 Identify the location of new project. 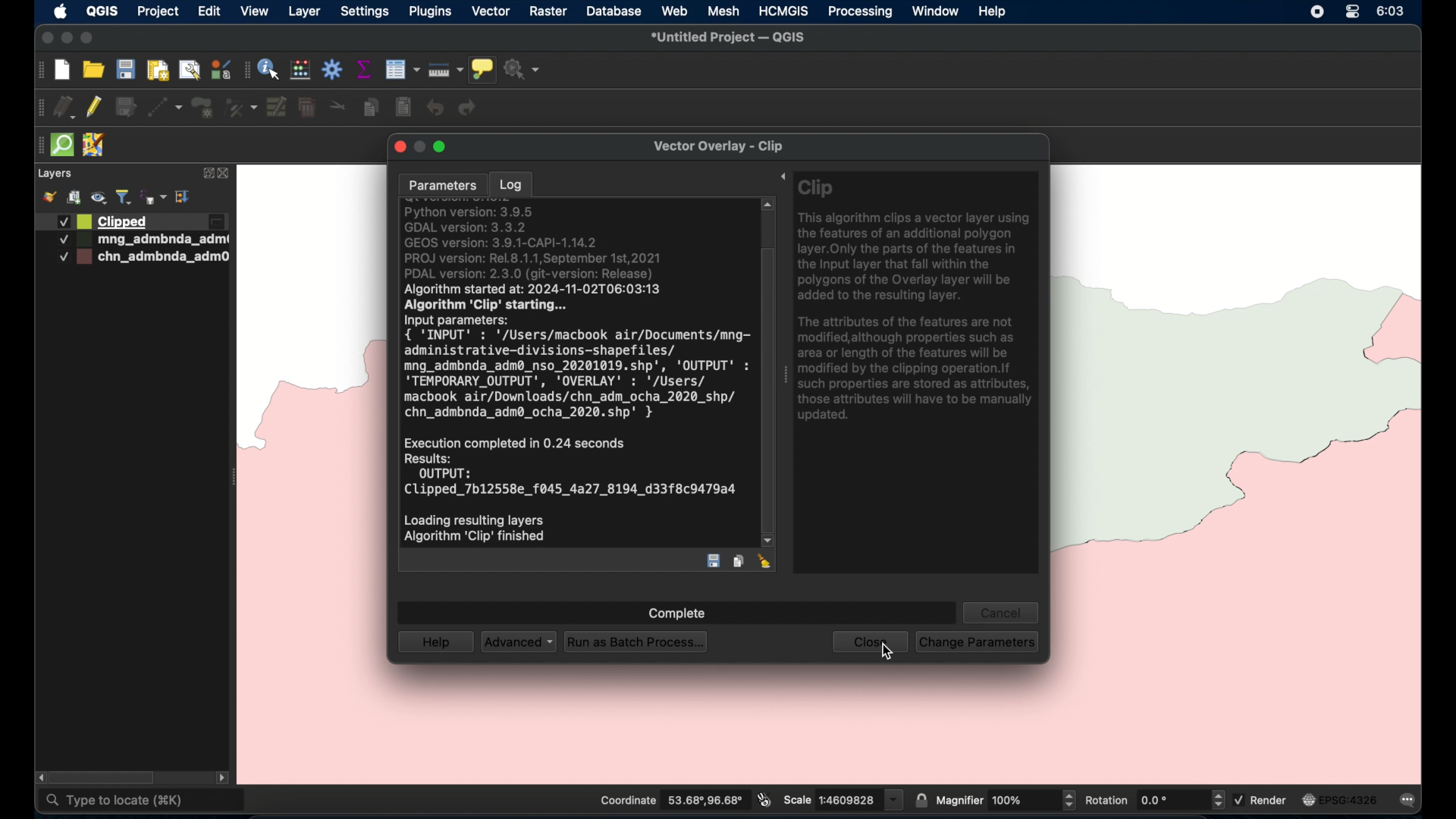
(63, 71).